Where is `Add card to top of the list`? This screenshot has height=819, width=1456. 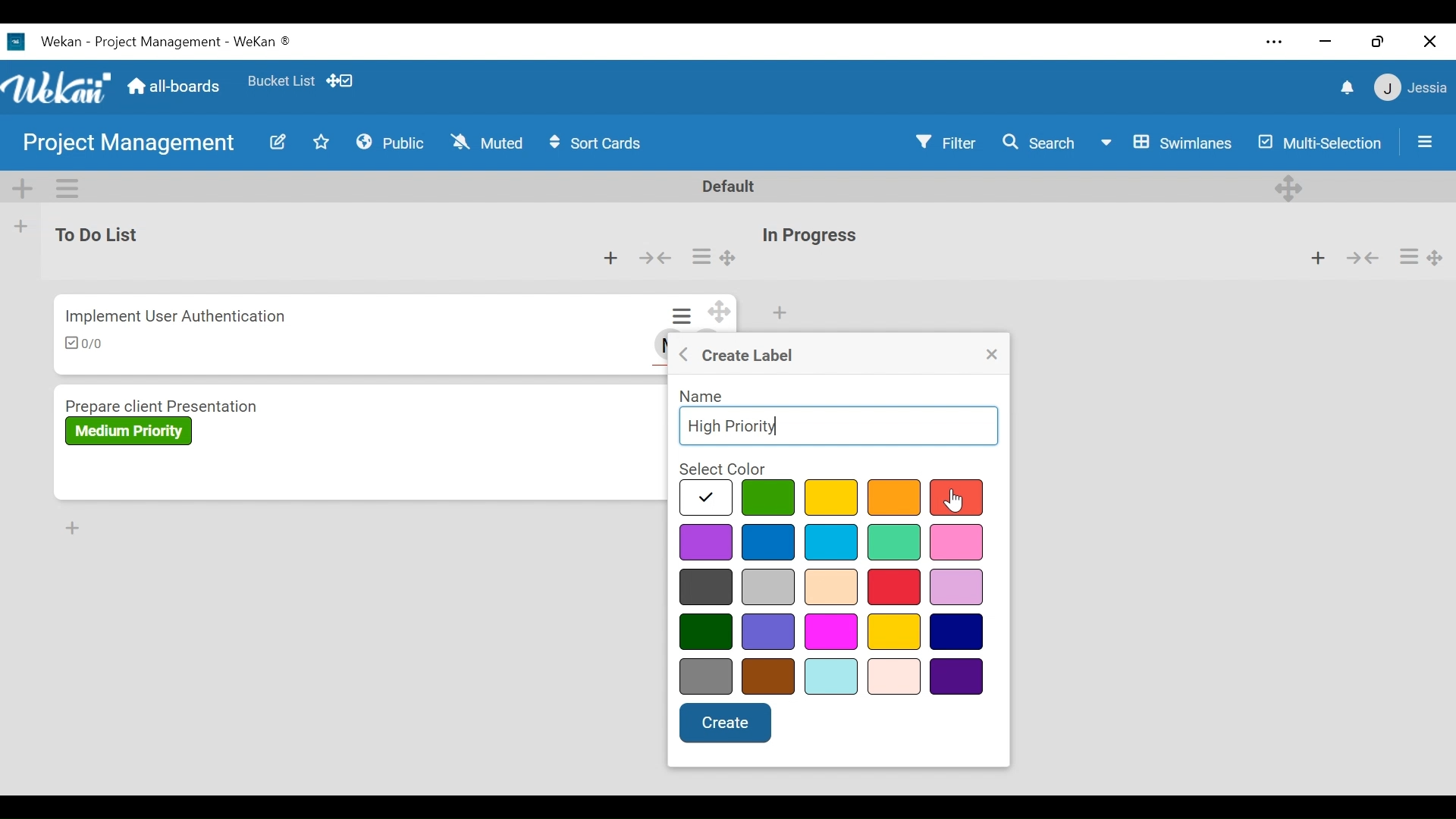 Add card to top of the list is located at coordinates (1318, 257).